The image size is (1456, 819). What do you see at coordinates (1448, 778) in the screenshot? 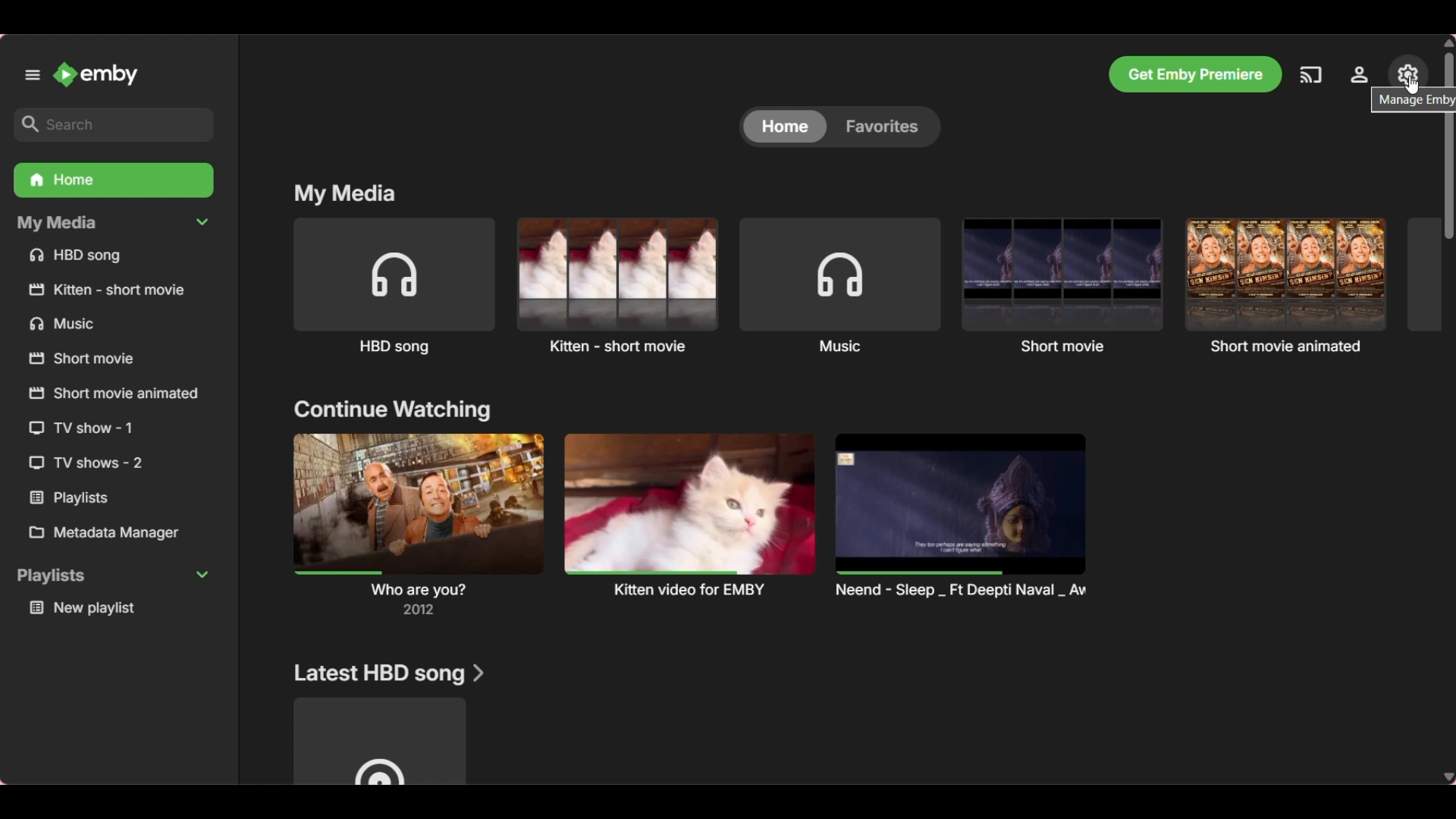
I see `Quick slide to bottom` at bounding box center [1448, 778].